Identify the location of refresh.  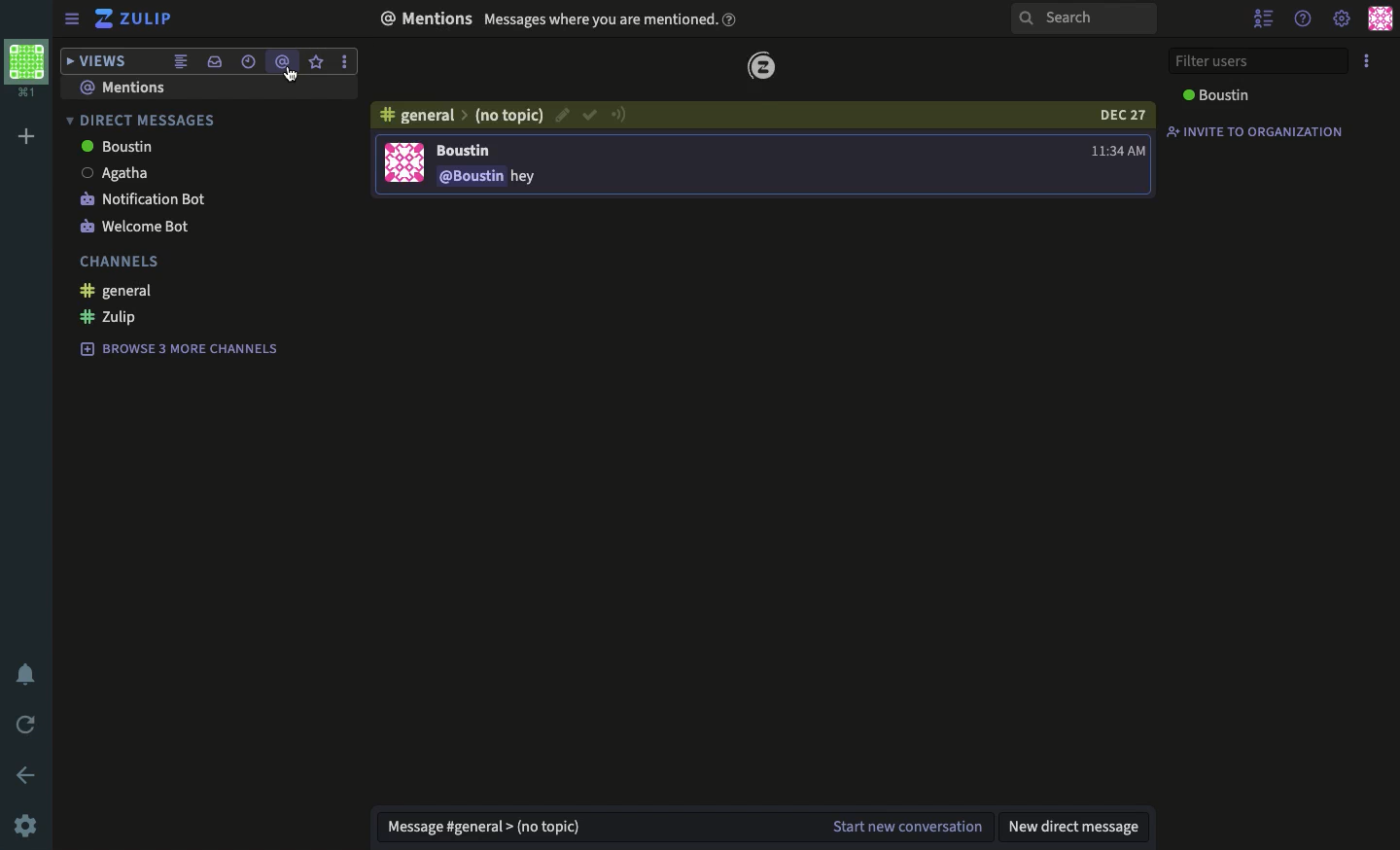
(26, 722).